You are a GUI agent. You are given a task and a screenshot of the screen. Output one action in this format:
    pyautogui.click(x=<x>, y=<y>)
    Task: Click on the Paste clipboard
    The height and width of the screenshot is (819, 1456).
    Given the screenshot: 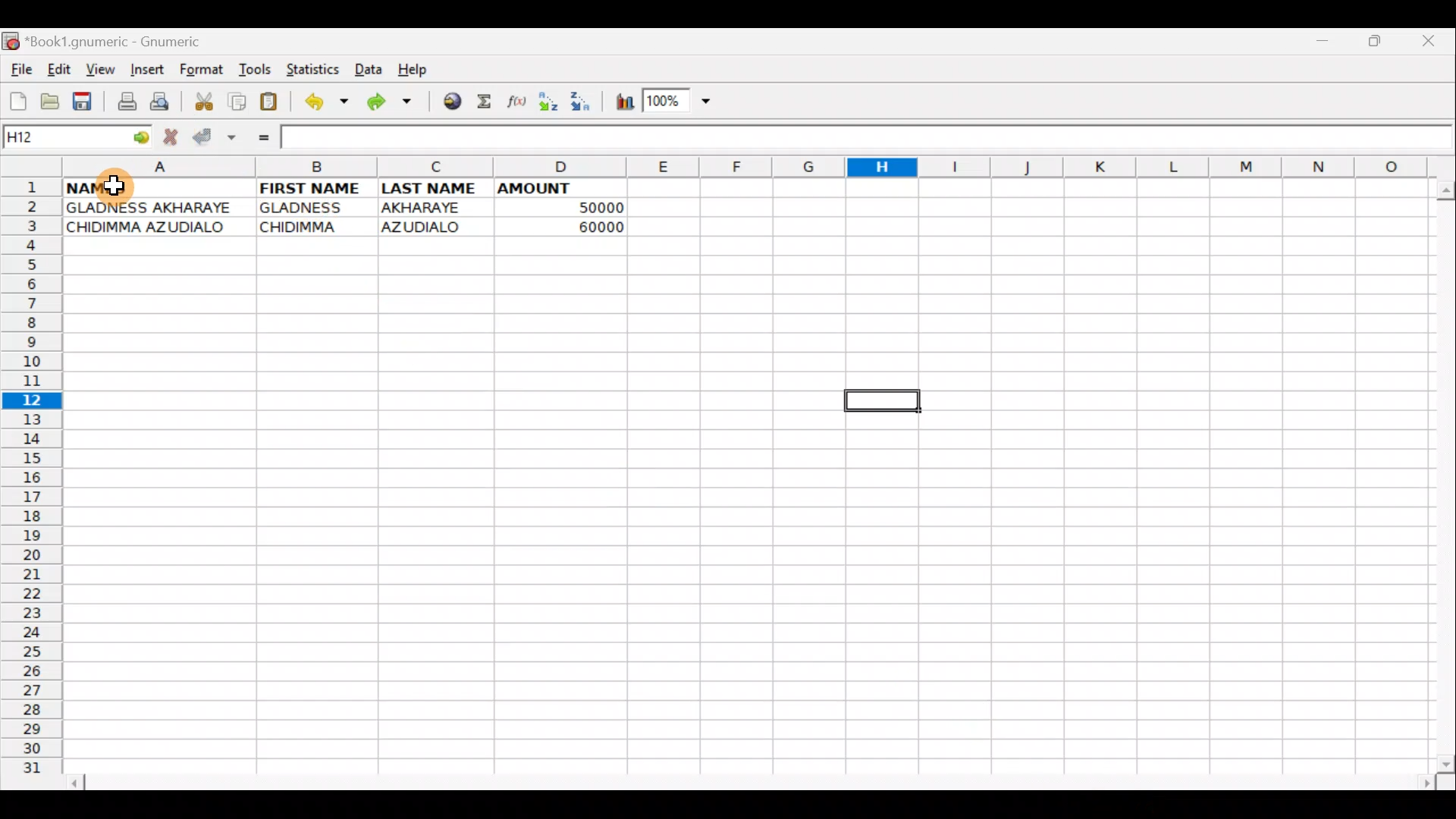 What is the action you would take?
    pyautogui.click(x=268, y=103)
    